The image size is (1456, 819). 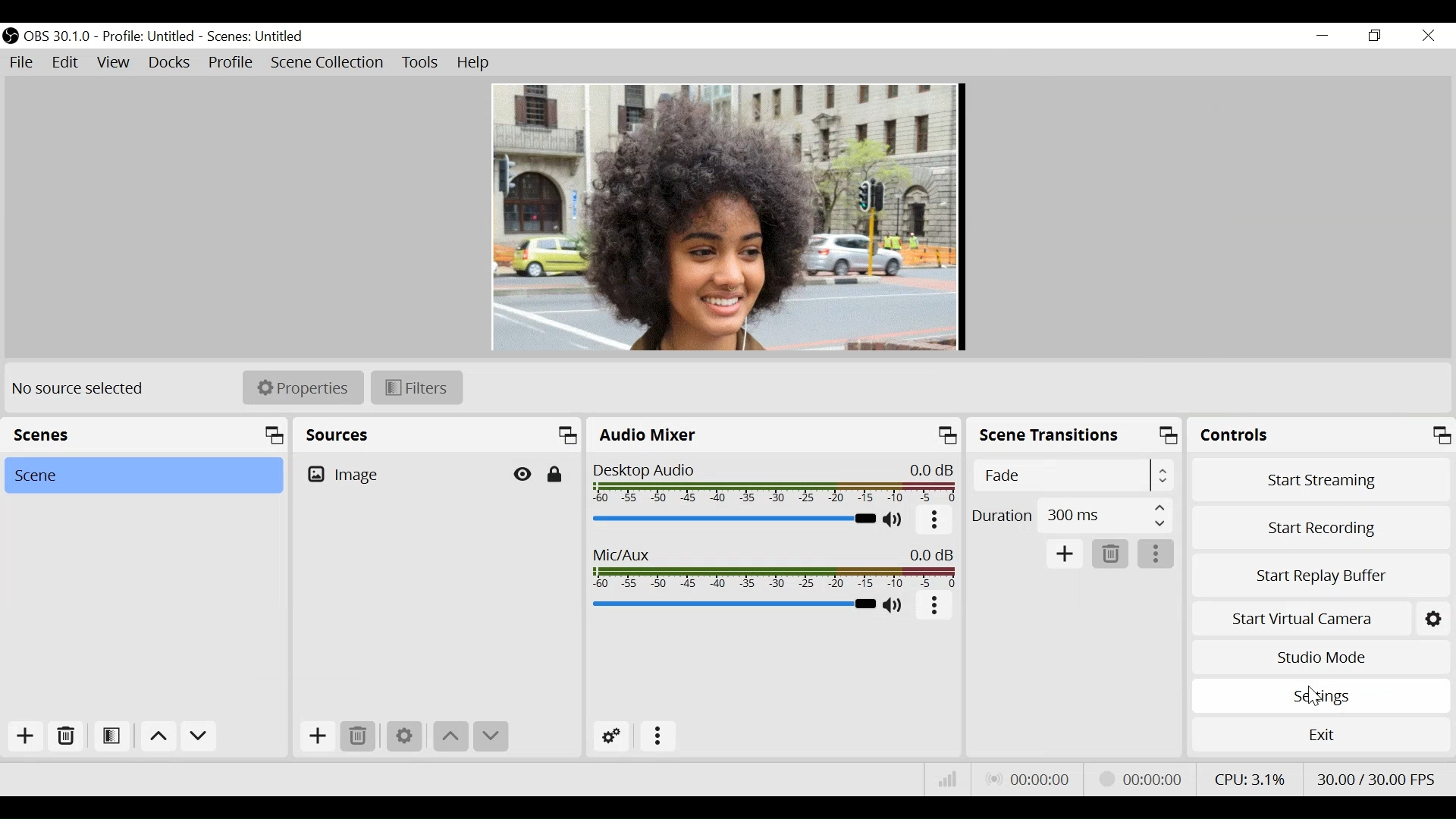 What do you see at coordinates (1045, 435) in the screenshot?
I see `Scene Transitions` at bounding box center [1045, 435].